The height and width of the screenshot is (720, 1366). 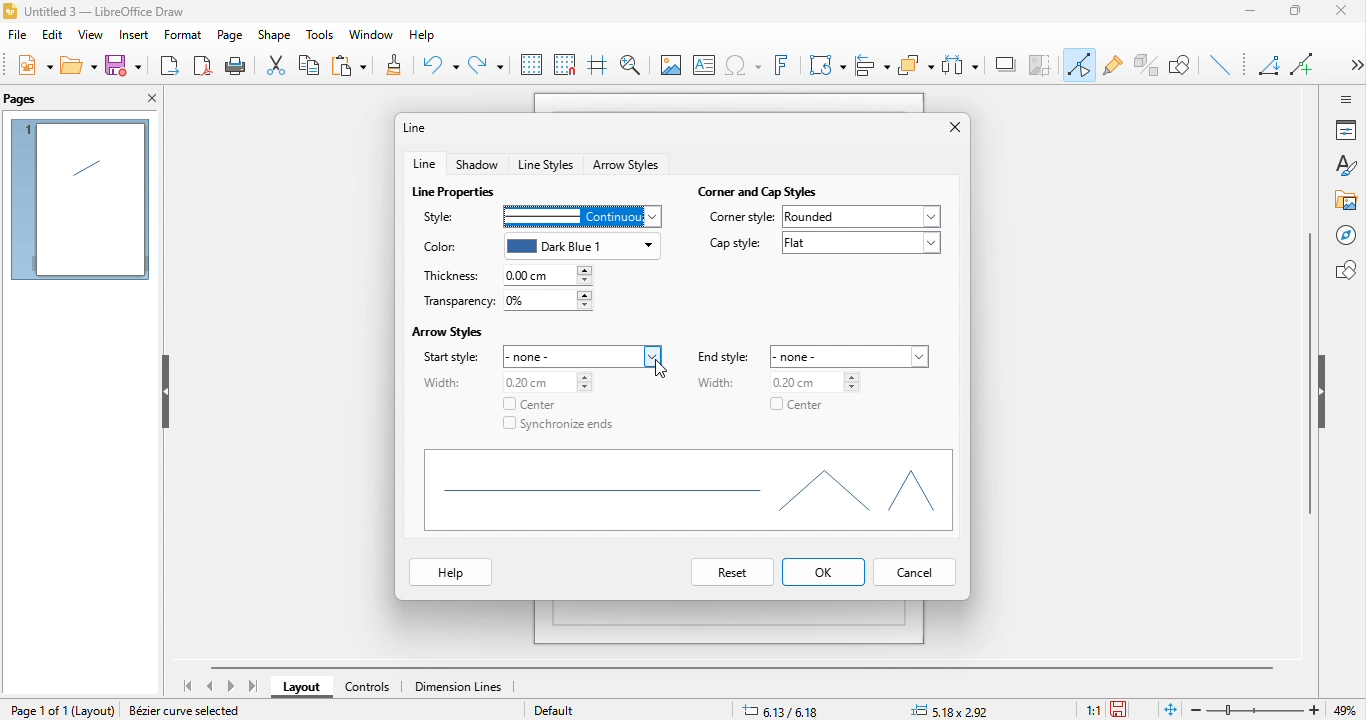 I want to click on Bezier curve selected, so click(x=191, y=712).